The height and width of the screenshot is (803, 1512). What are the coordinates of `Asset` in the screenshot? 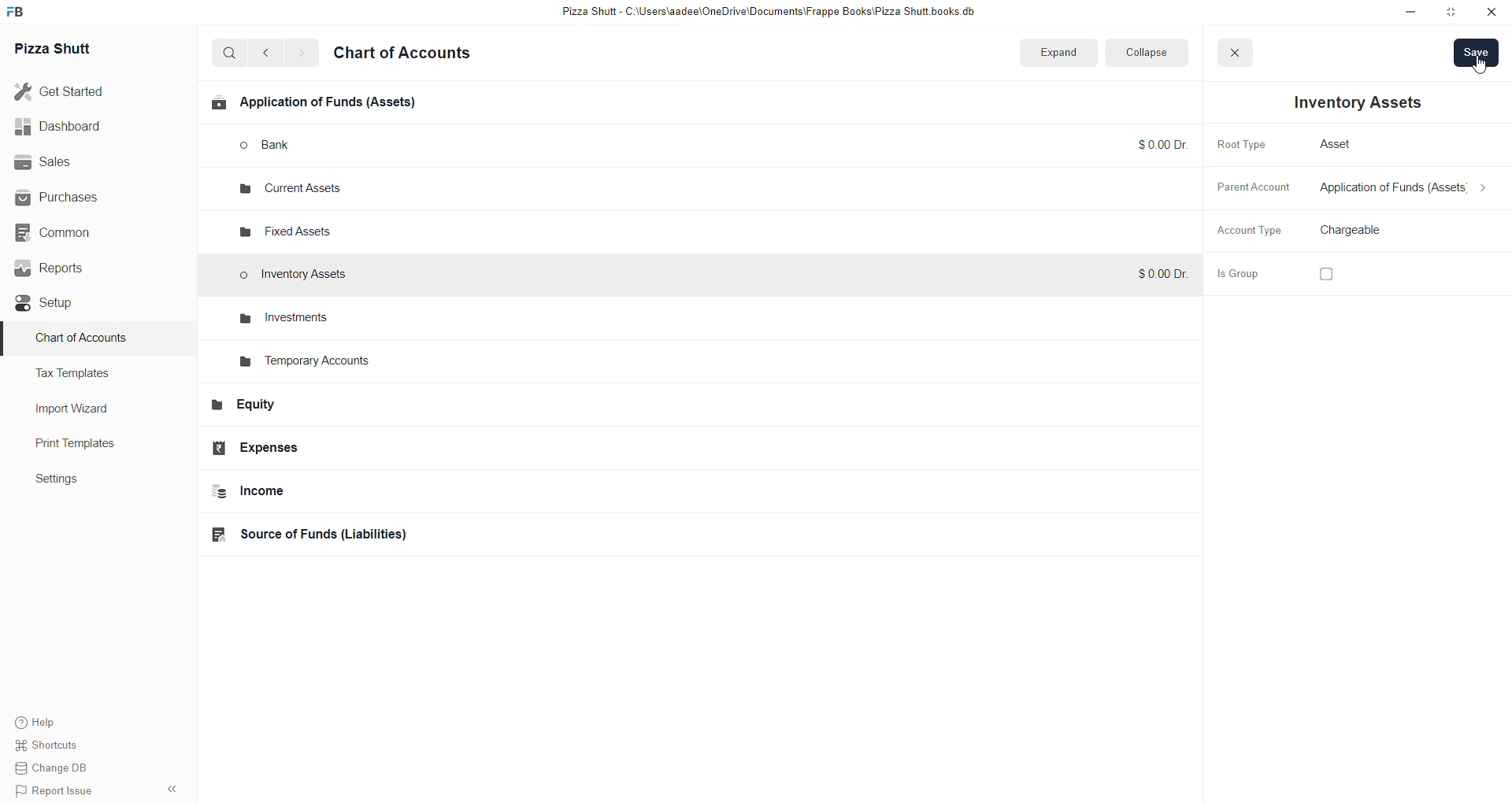 It's located at (1329, 142).